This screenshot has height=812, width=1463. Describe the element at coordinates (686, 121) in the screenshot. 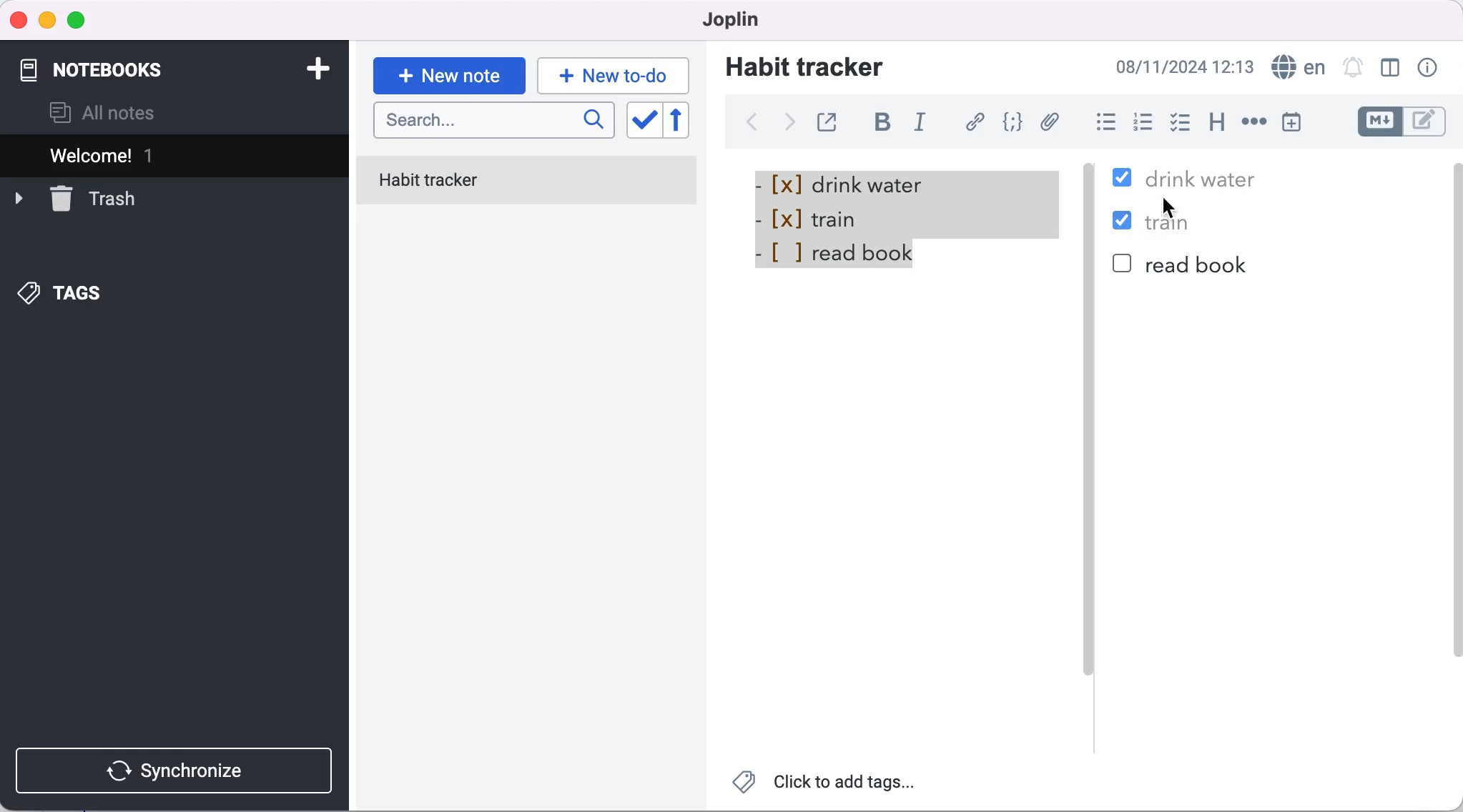

I see `reverse sort order` at that location.